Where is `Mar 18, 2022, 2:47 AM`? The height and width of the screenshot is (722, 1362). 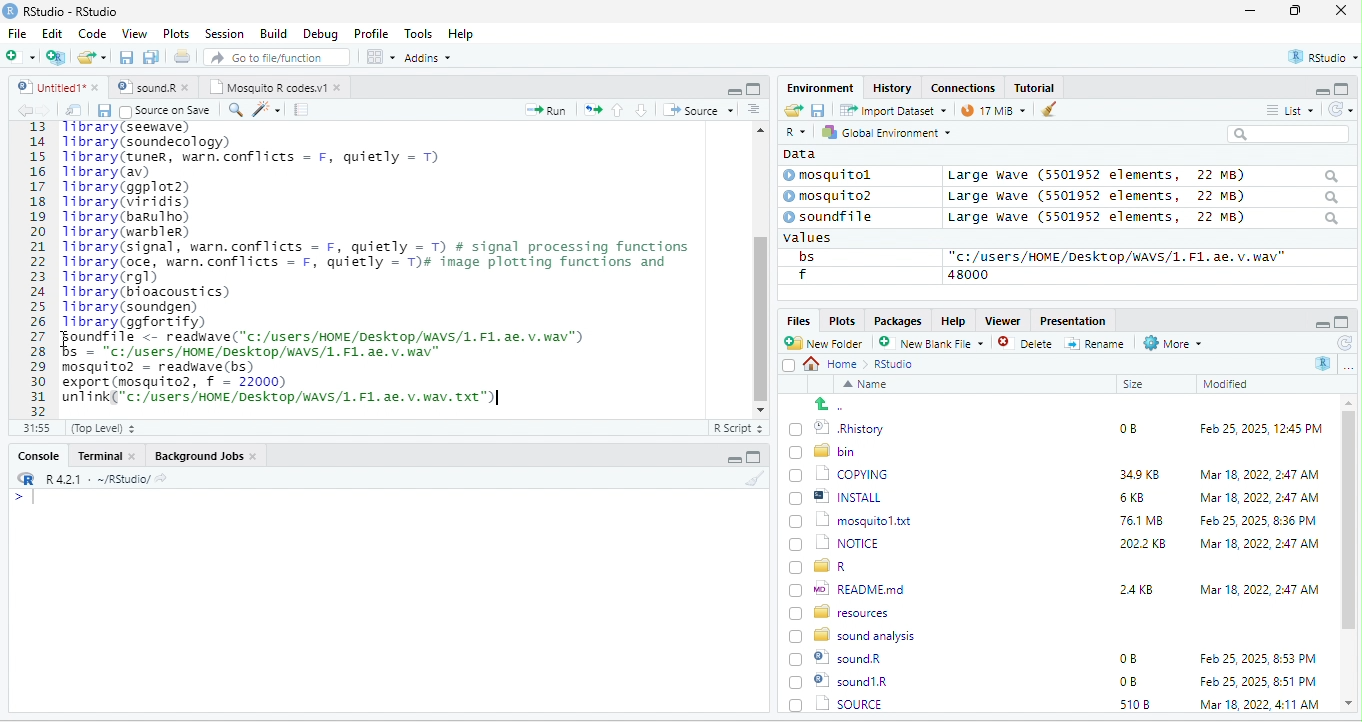 Mar 18, 2022, 2:47 AM is located at coordinates (1259, 588).